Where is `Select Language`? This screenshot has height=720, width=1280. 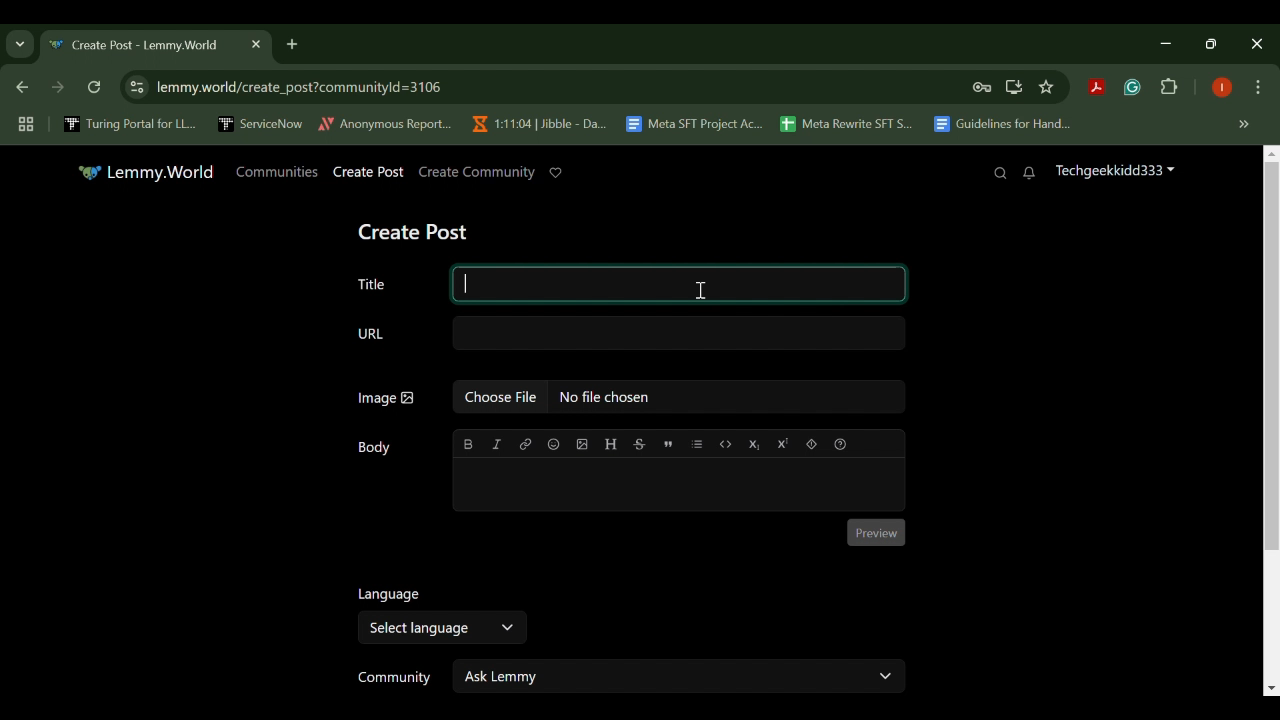
Select Language is located at coordinates (440, 628).